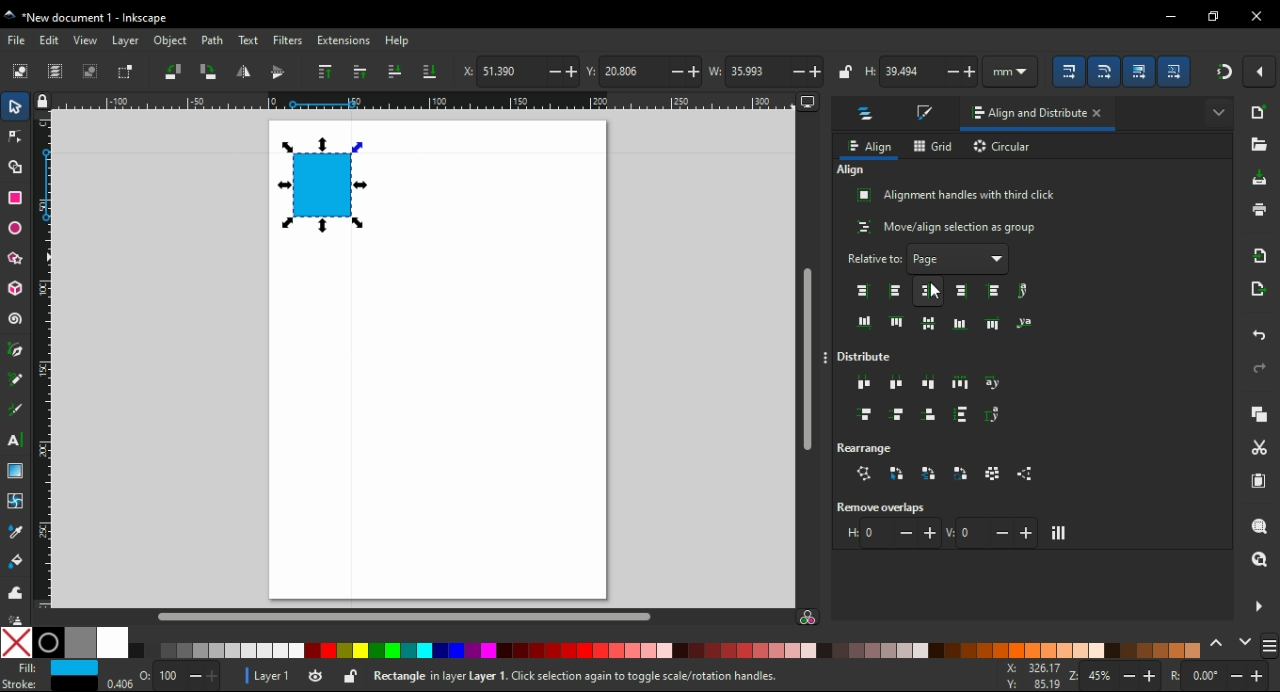  I want to click on distribute, so click(870, 357).